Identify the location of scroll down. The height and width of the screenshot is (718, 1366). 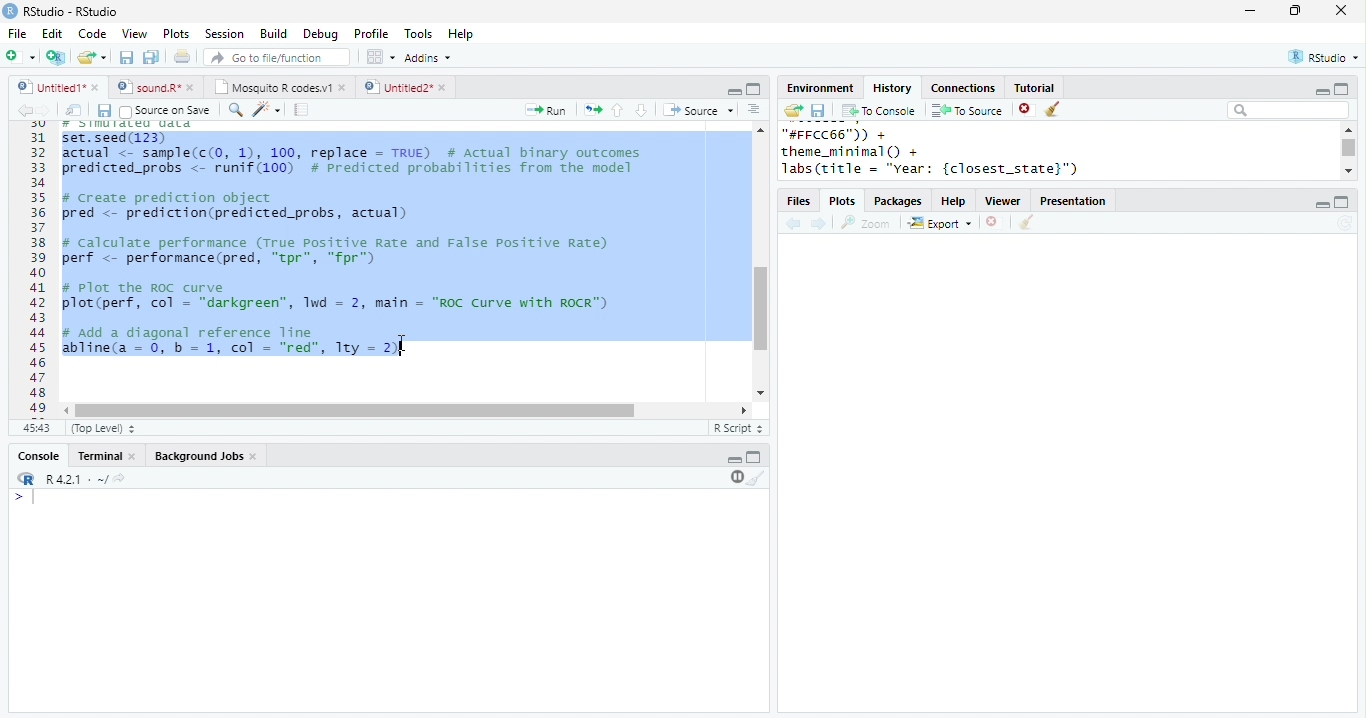
(1348, 170).